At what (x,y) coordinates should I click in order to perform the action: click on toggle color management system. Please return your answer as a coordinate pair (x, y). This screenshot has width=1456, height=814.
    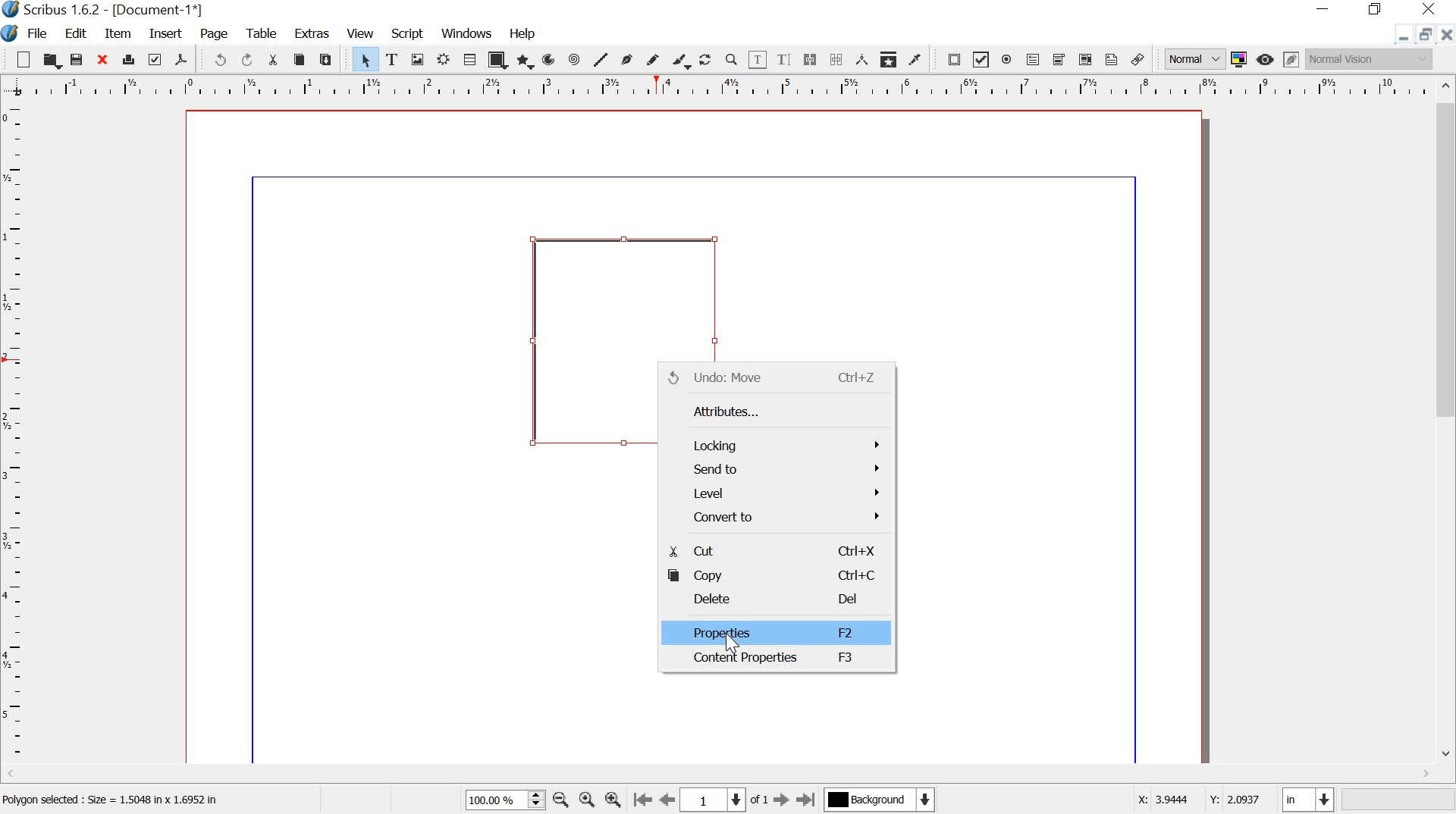
    Looking at the image, I should click on (1241, 59).